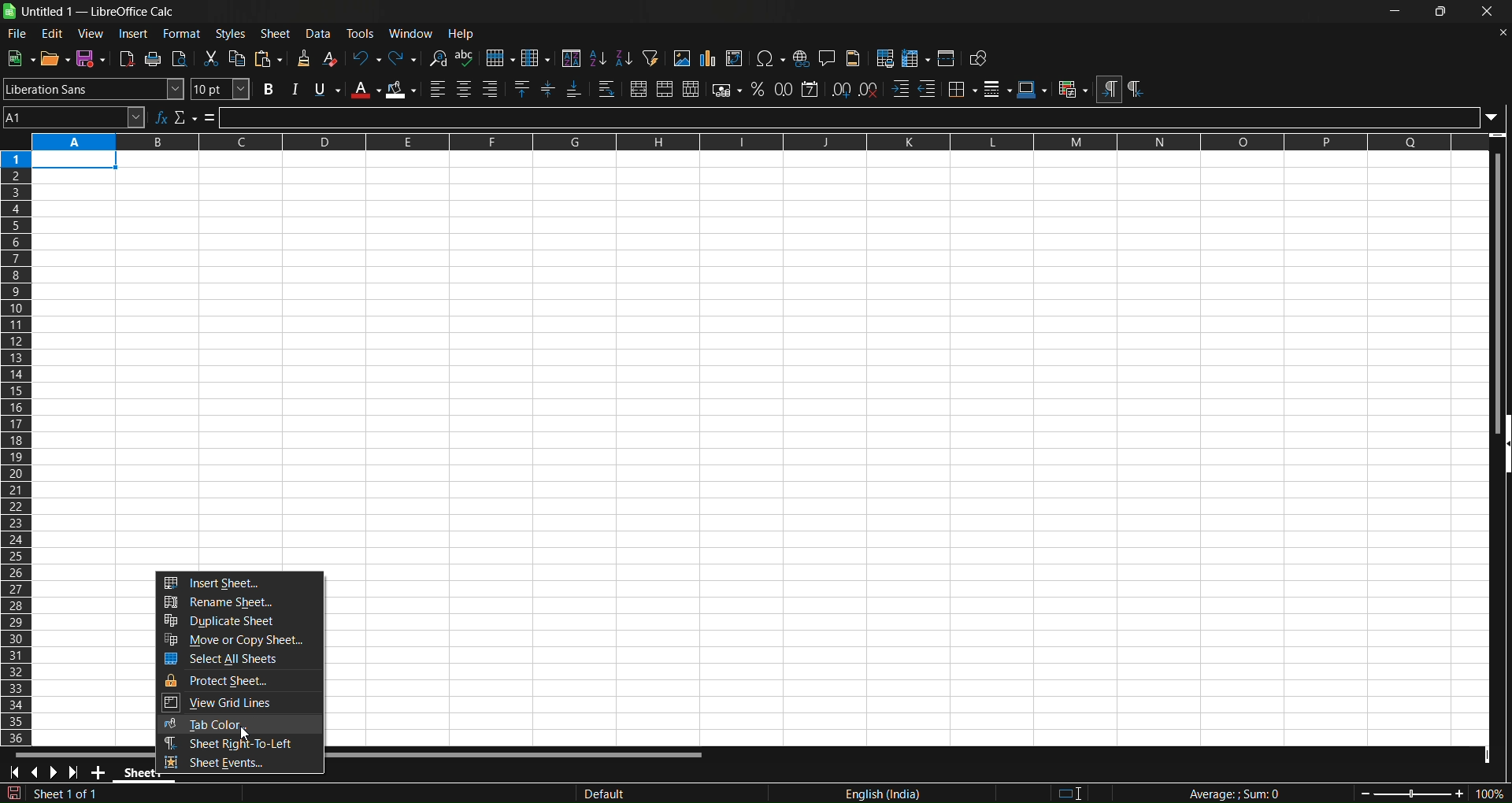 This screenshot has width=1512, height=803. Describe the element at coordinates (332, 58) in the screenshot. I see `clear direct formatting` at that location.